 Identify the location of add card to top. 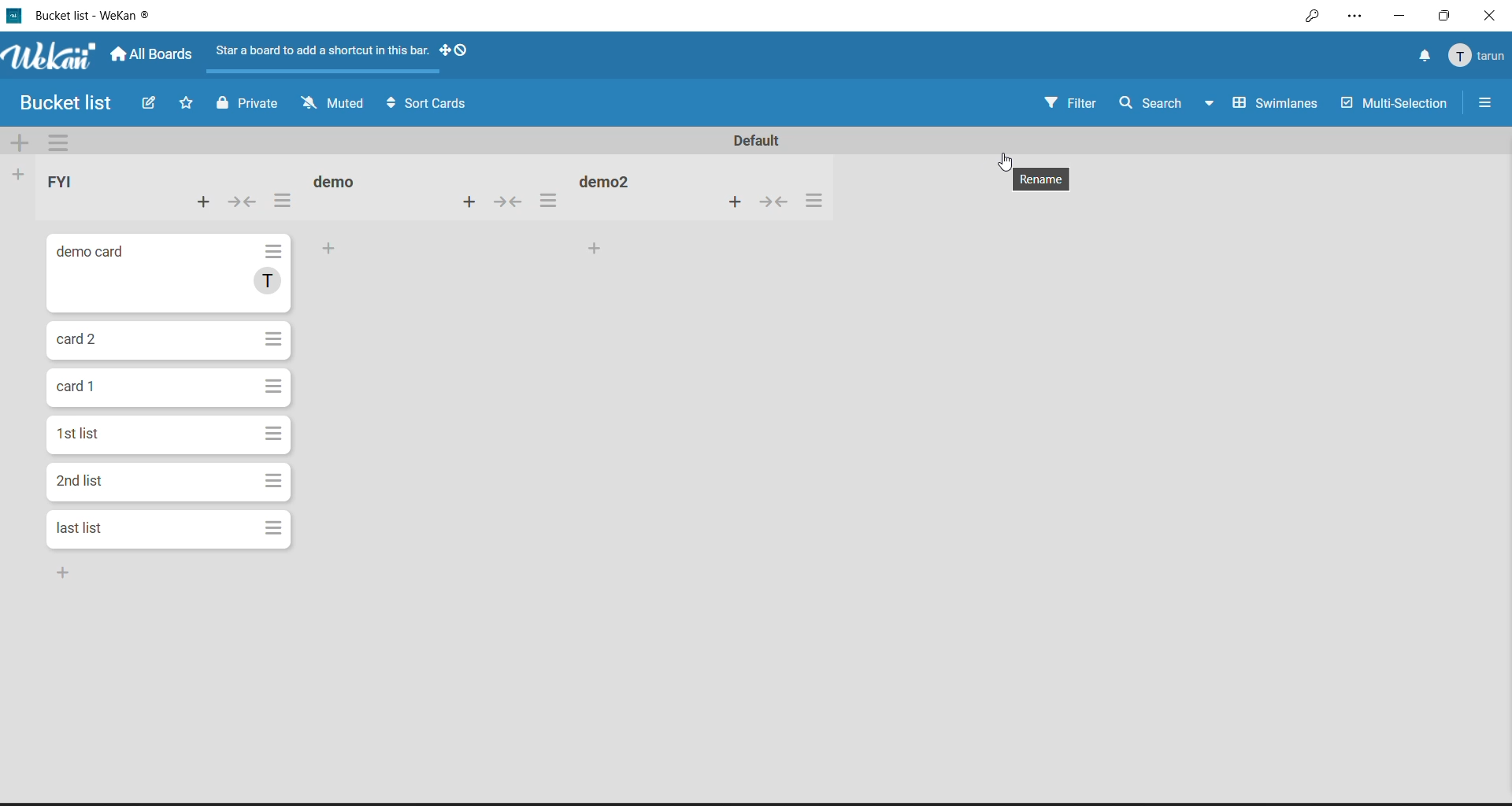
(200, 202).